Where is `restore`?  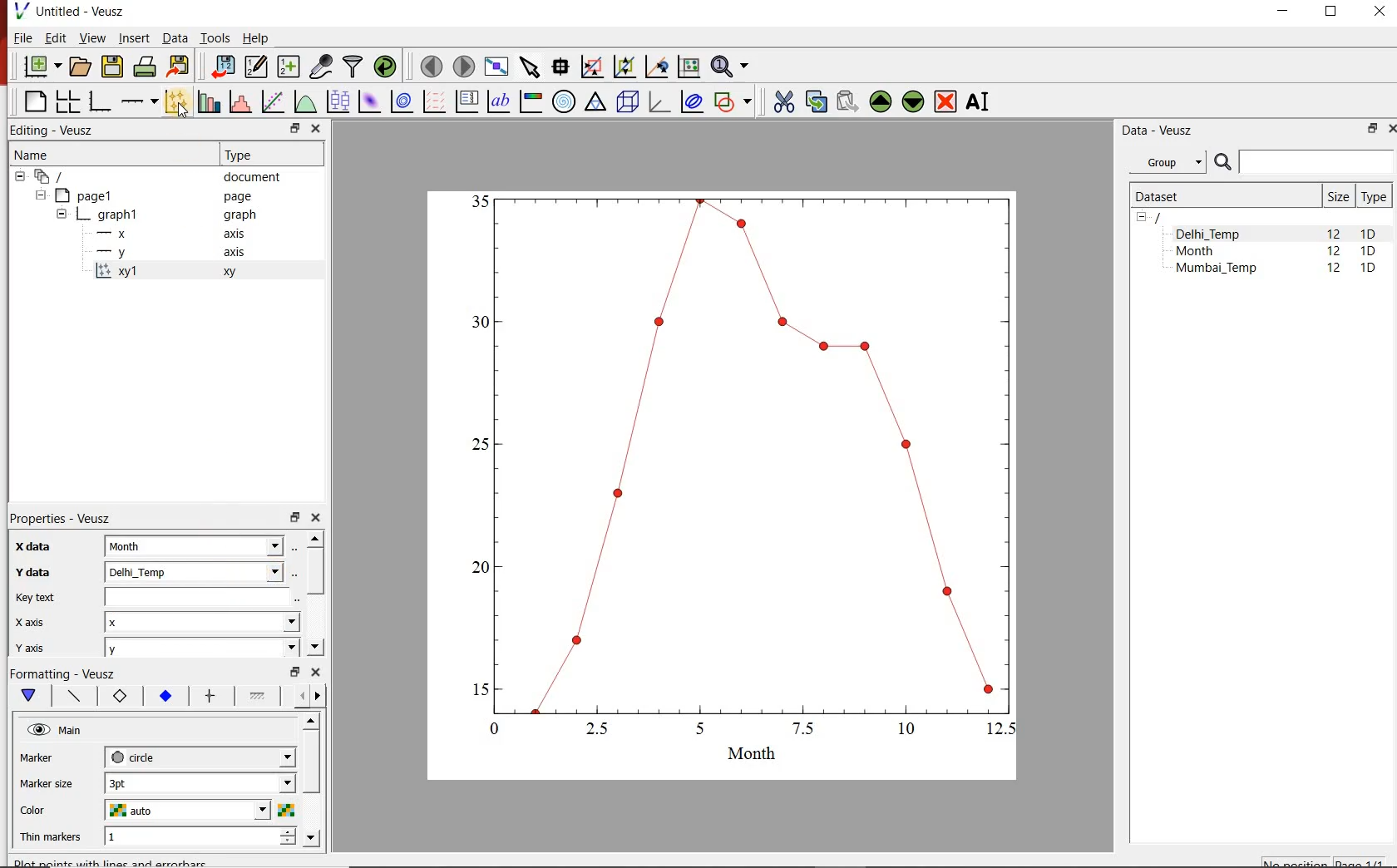 restore is located at coordinates (296, 128).